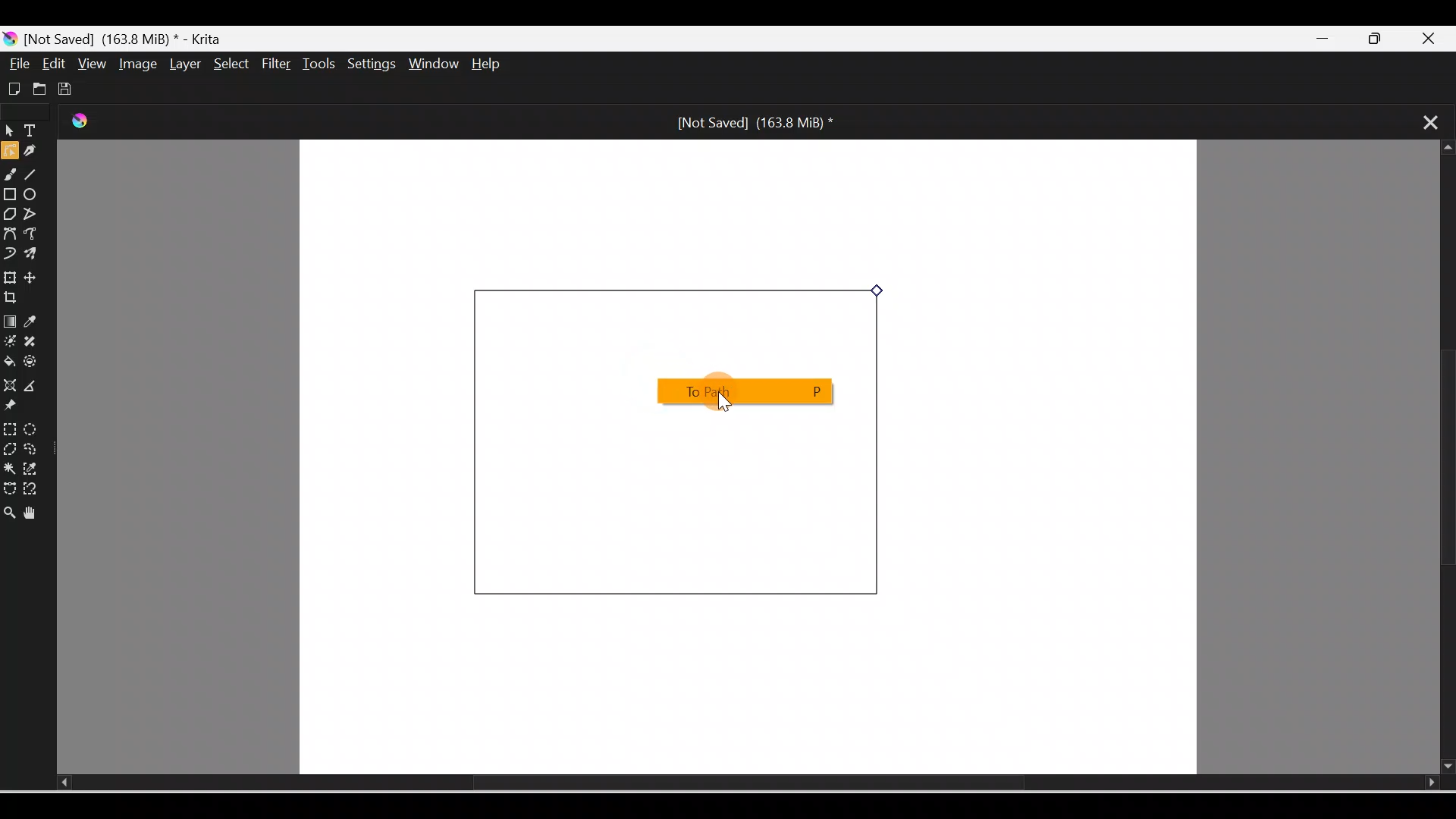  Describe the element at coordinates (322, 64) in the screenshot. I see `Tools` at that location.